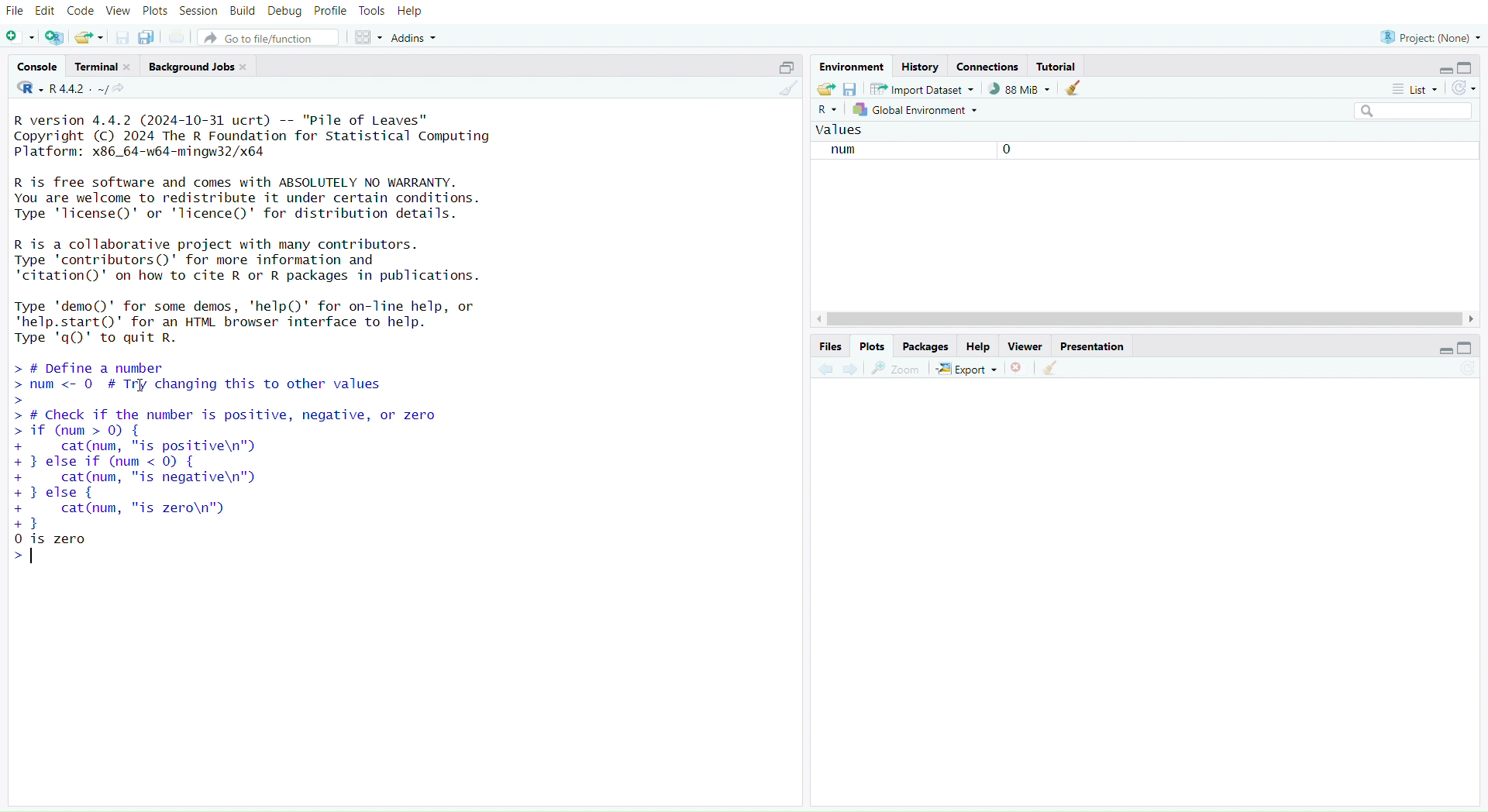 The image size is (1488, 812). I want to click on zoom, so click(897, 369).